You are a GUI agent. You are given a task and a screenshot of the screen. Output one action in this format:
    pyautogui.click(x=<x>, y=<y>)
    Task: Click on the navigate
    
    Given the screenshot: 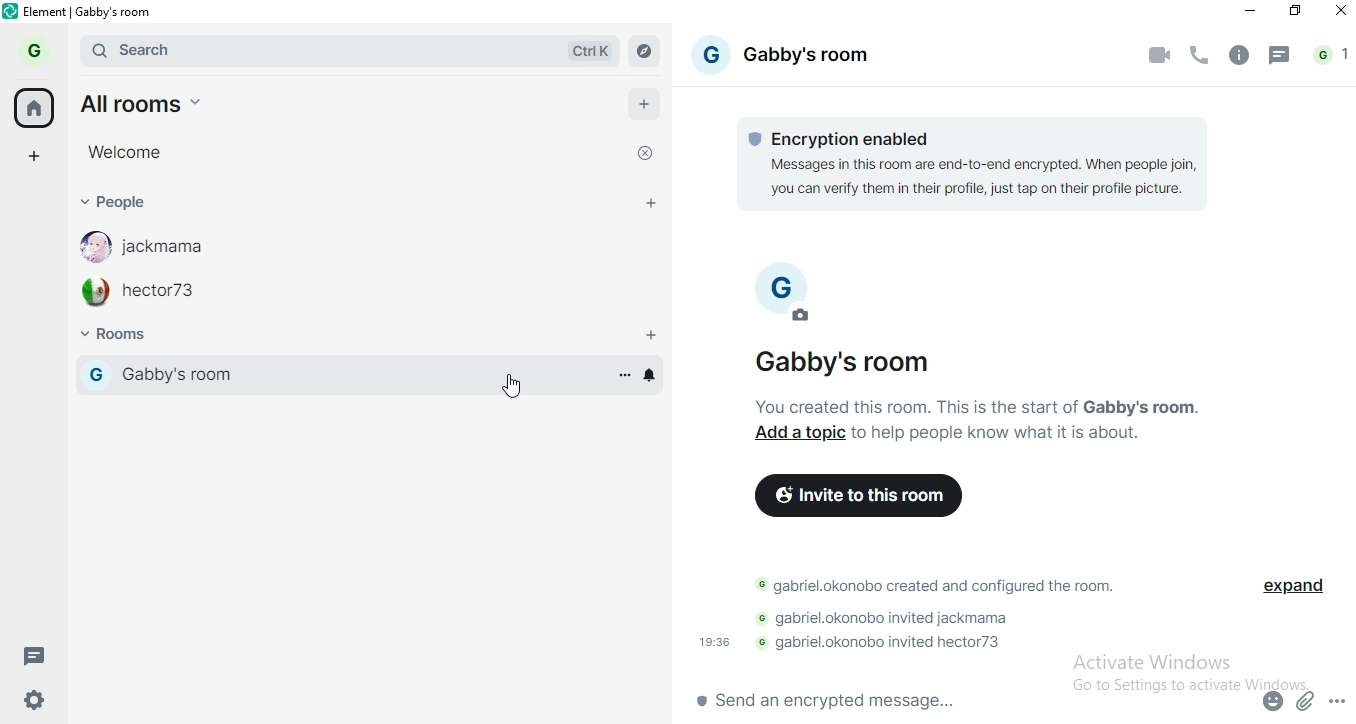 What is the action you would take?
    pyautogui.click(x=648, y=53)
    